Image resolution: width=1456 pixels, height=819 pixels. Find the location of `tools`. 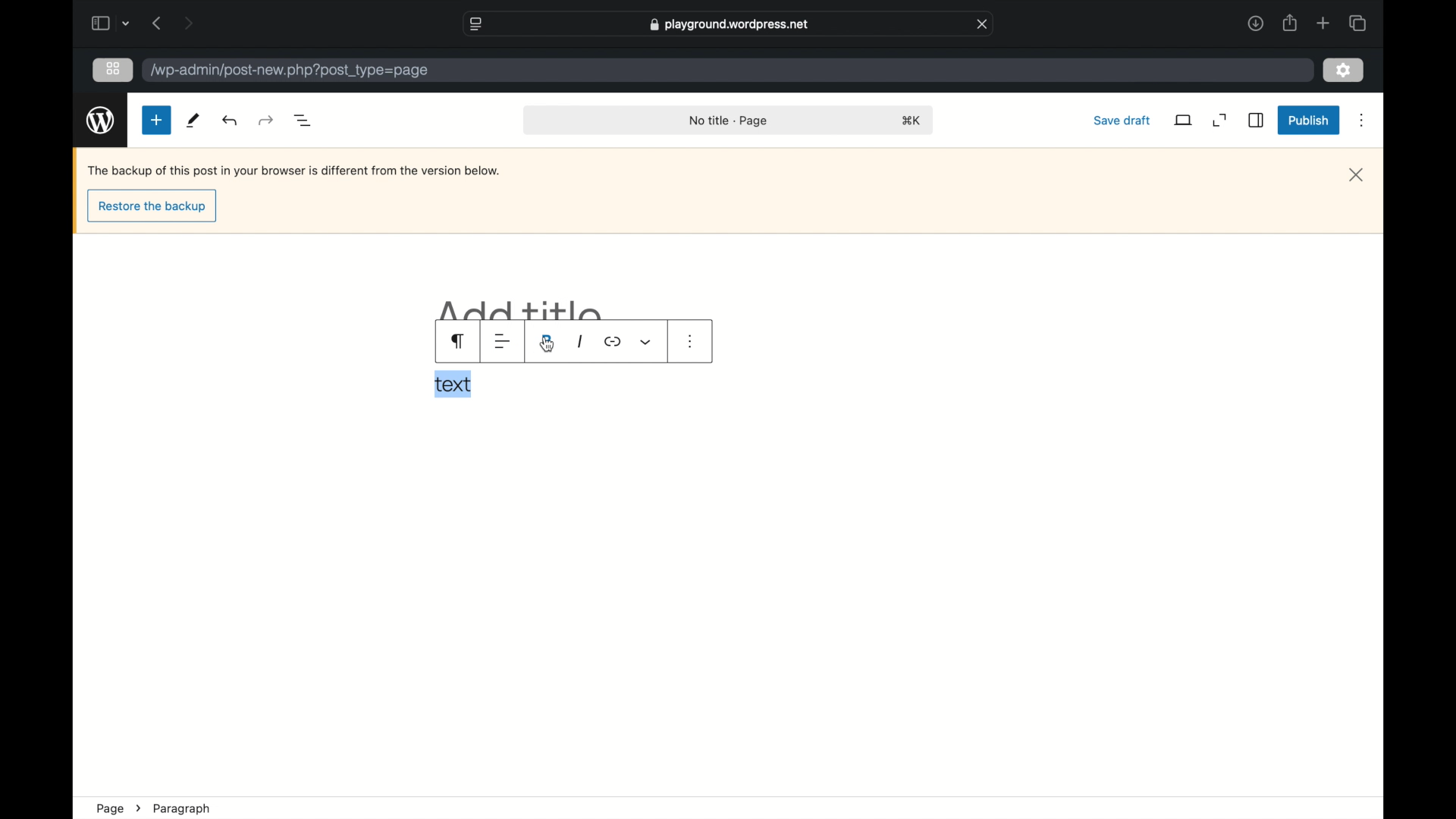

tools is located at coordinates (192, 121).